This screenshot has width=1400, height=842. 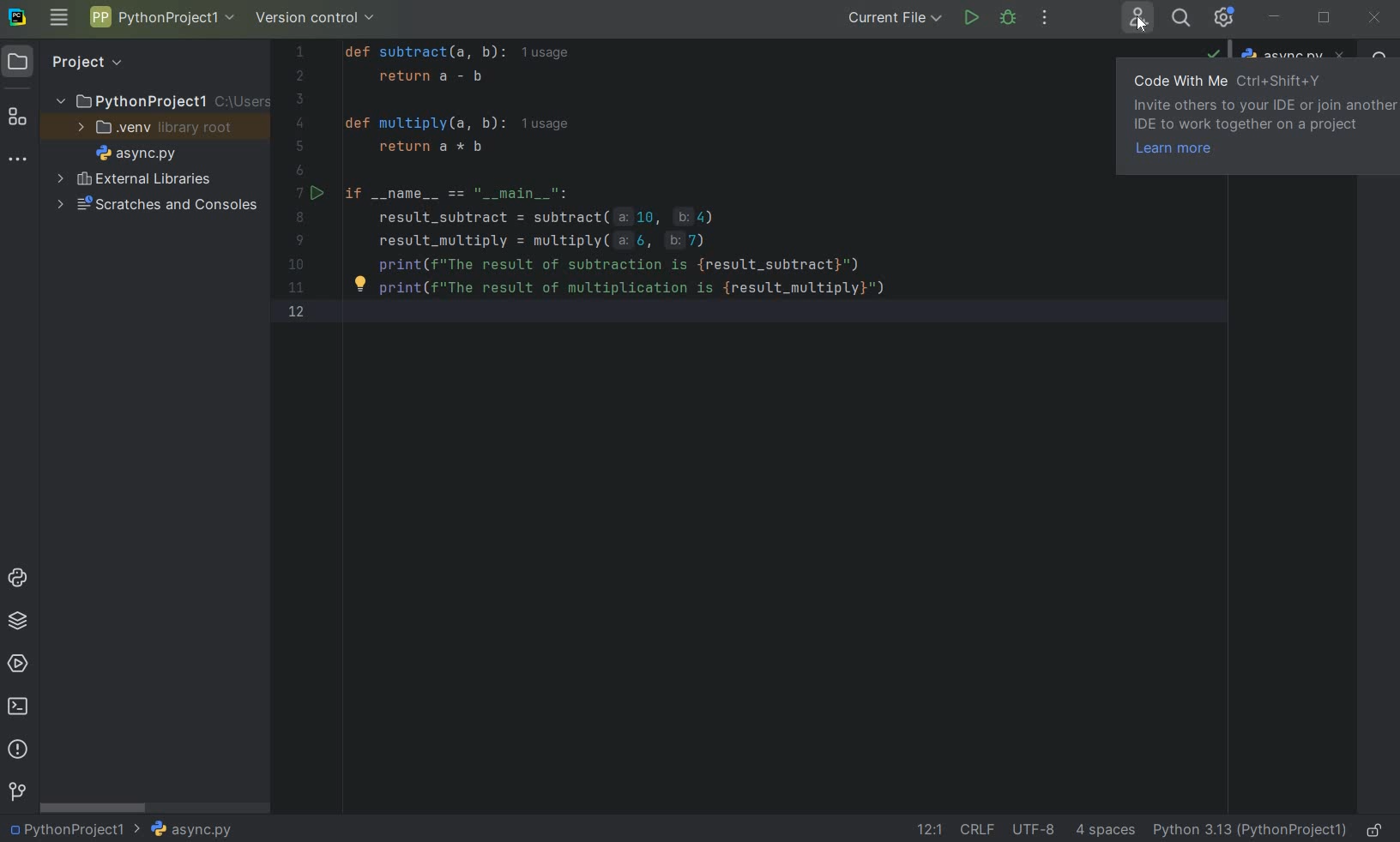 I want to click on STRUCTURE, so click(x=19, y=119).